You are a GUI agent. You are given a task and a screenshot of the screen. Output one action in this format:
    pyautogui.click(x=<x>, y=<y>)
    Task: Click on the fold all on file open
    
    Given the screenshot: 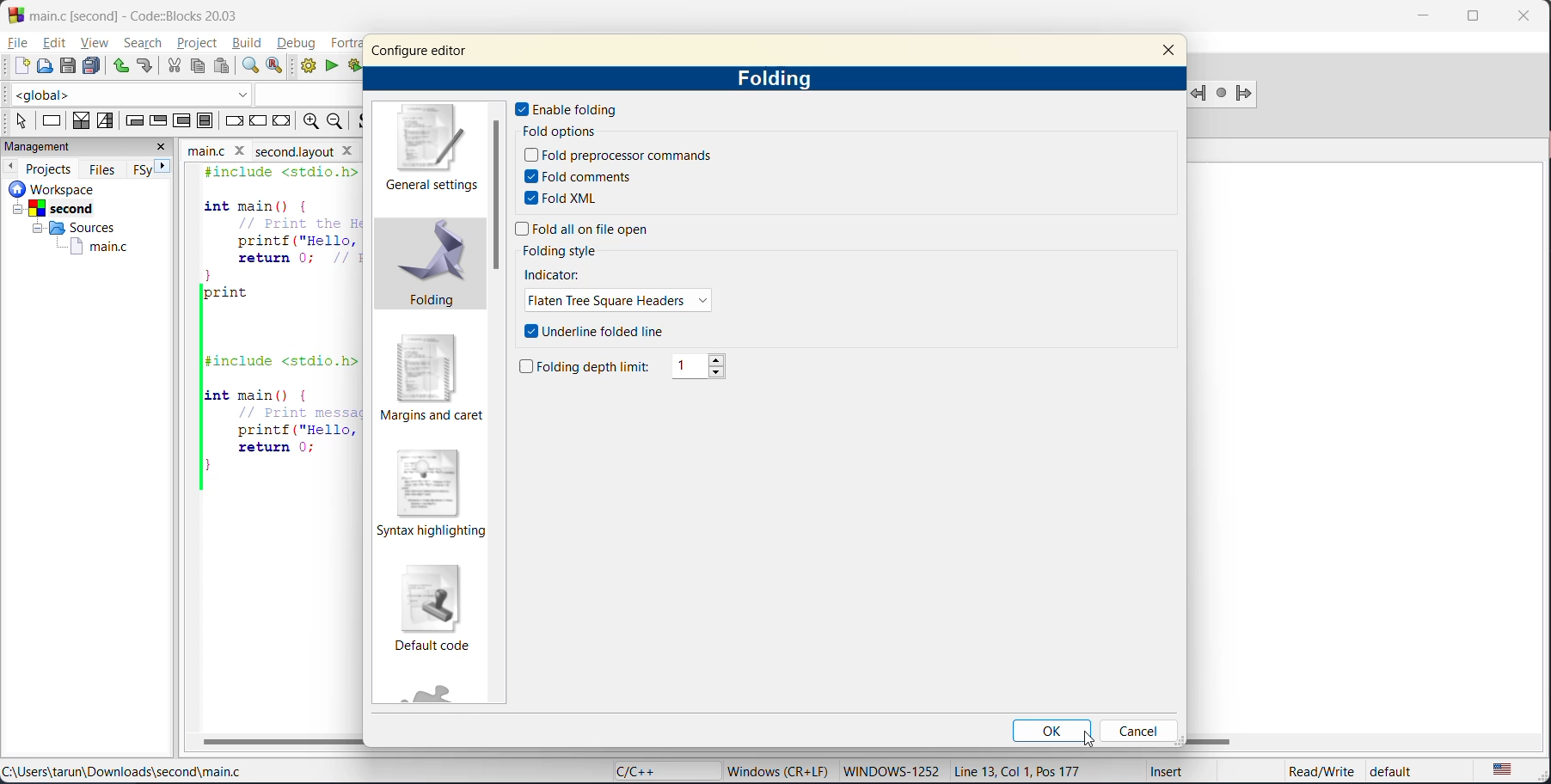 What is the action you would take?
    pyautogui.click(x=587, y=230)
    